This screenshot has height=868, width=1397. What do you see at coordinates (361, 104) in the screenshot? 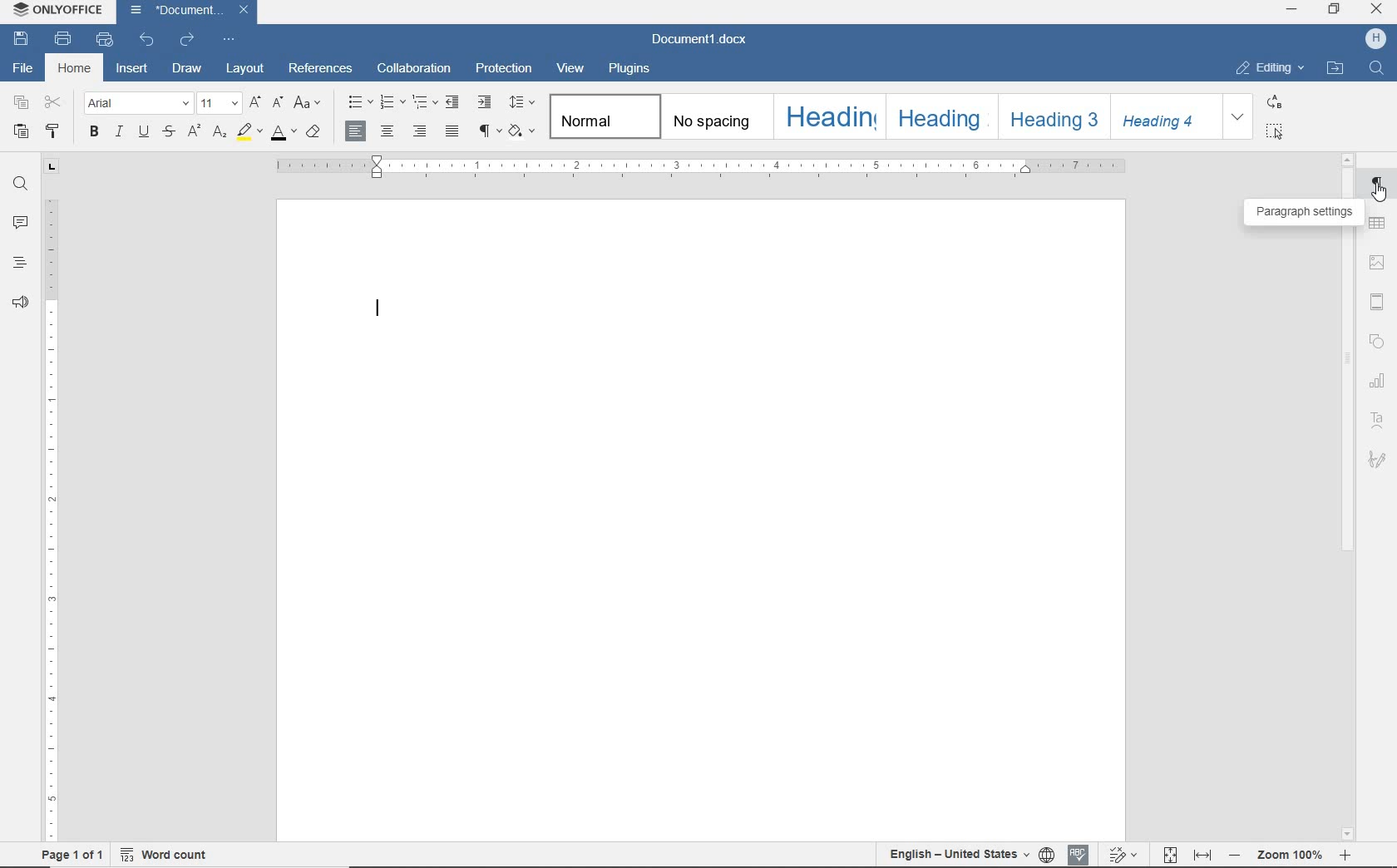
I see `bullets` at bounding box center [361, 104].